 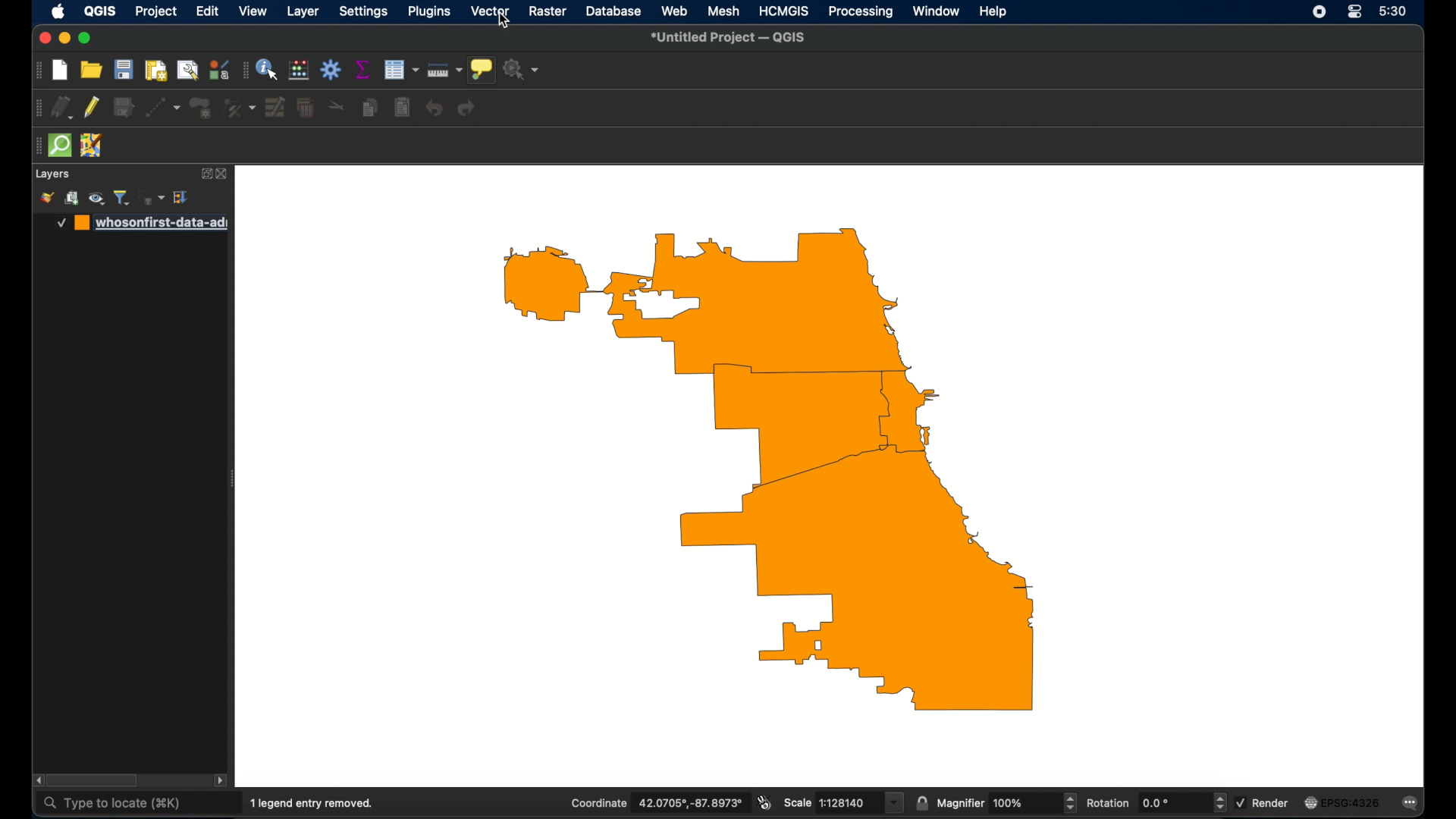 What do you see at coordinates (92, 146) in the screenshot?
I see `jsom  remote` at bounding box center [92, 146].